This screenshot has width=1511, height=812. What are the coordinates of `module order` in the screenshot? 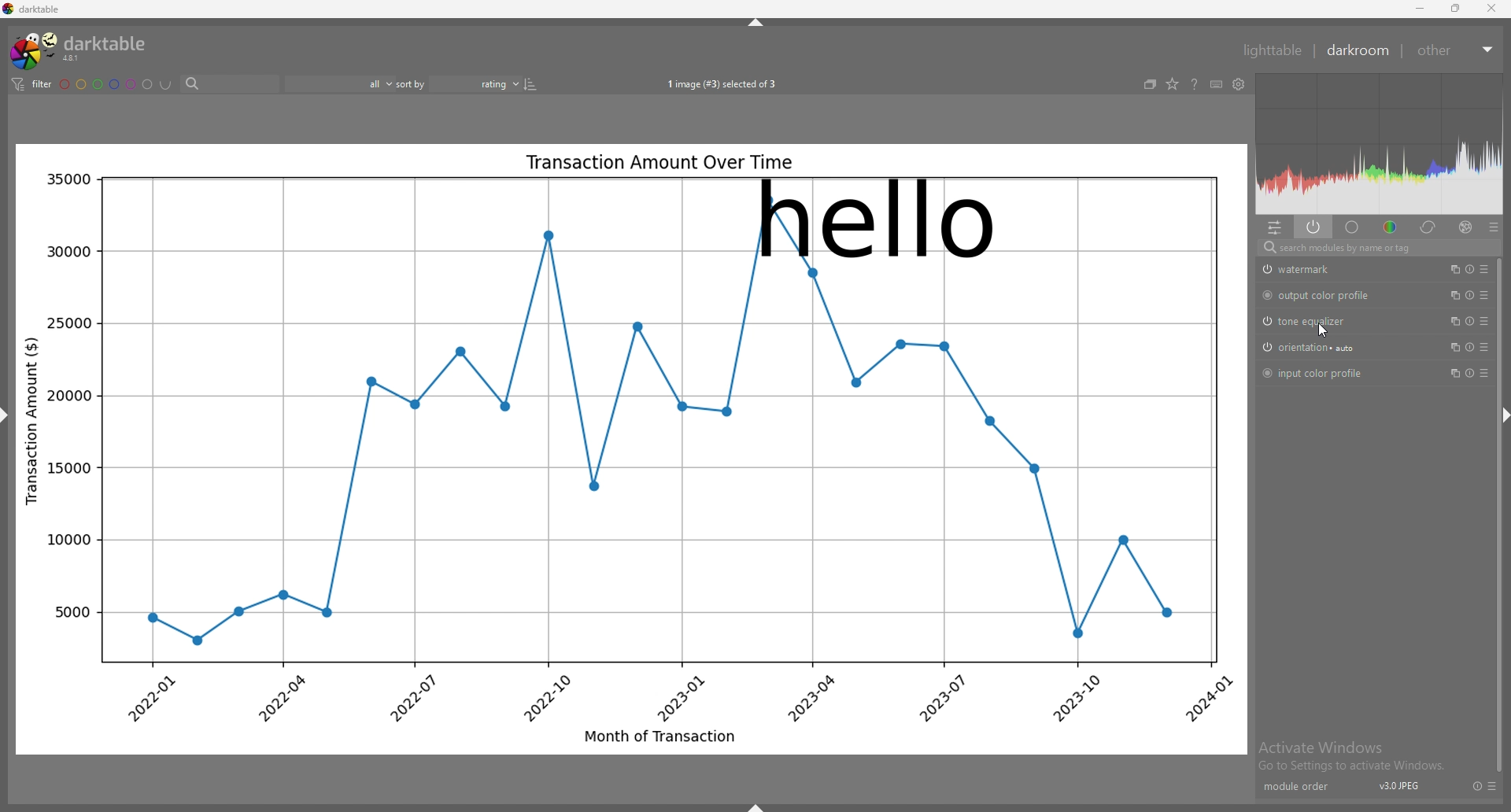 It's located at (1299, 787).